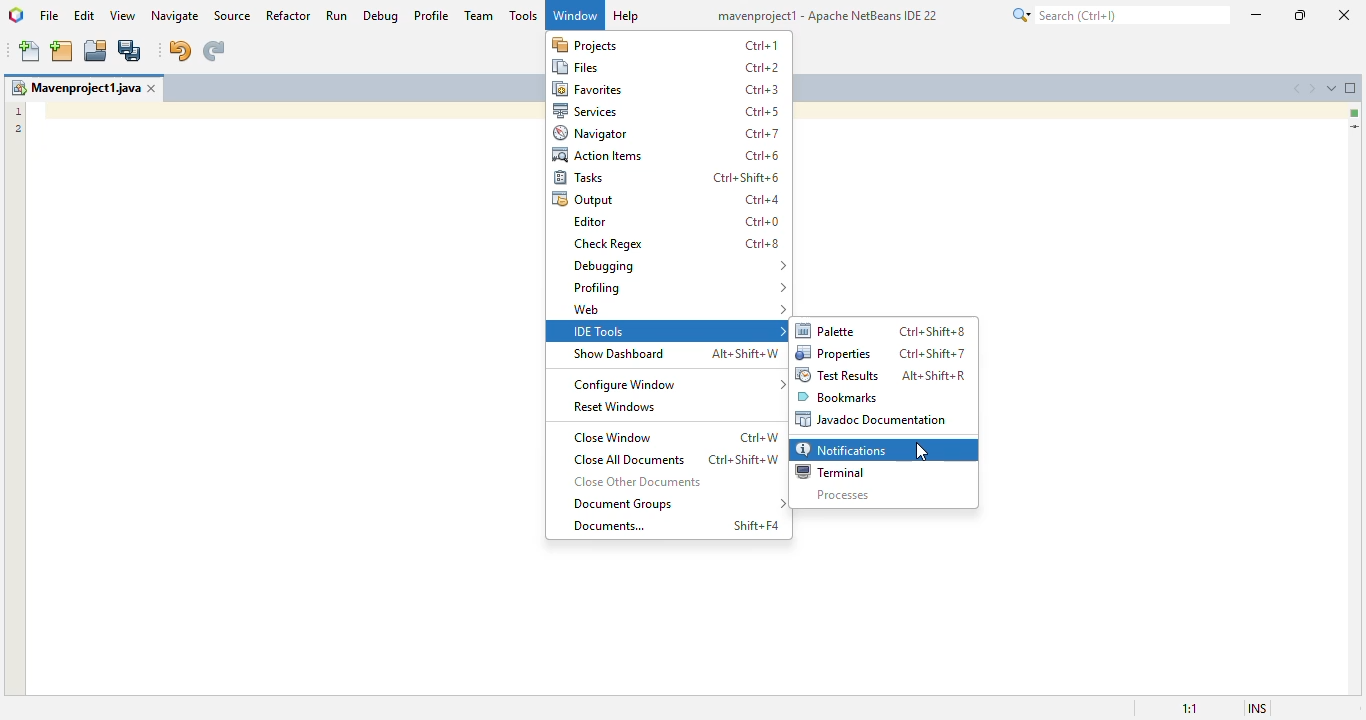 This screenshot has width=1366, height=720. What do you see at coordinates (873, 419) in the screenshot?
I see `javadoc documentation` at bounding box center [873, 419].